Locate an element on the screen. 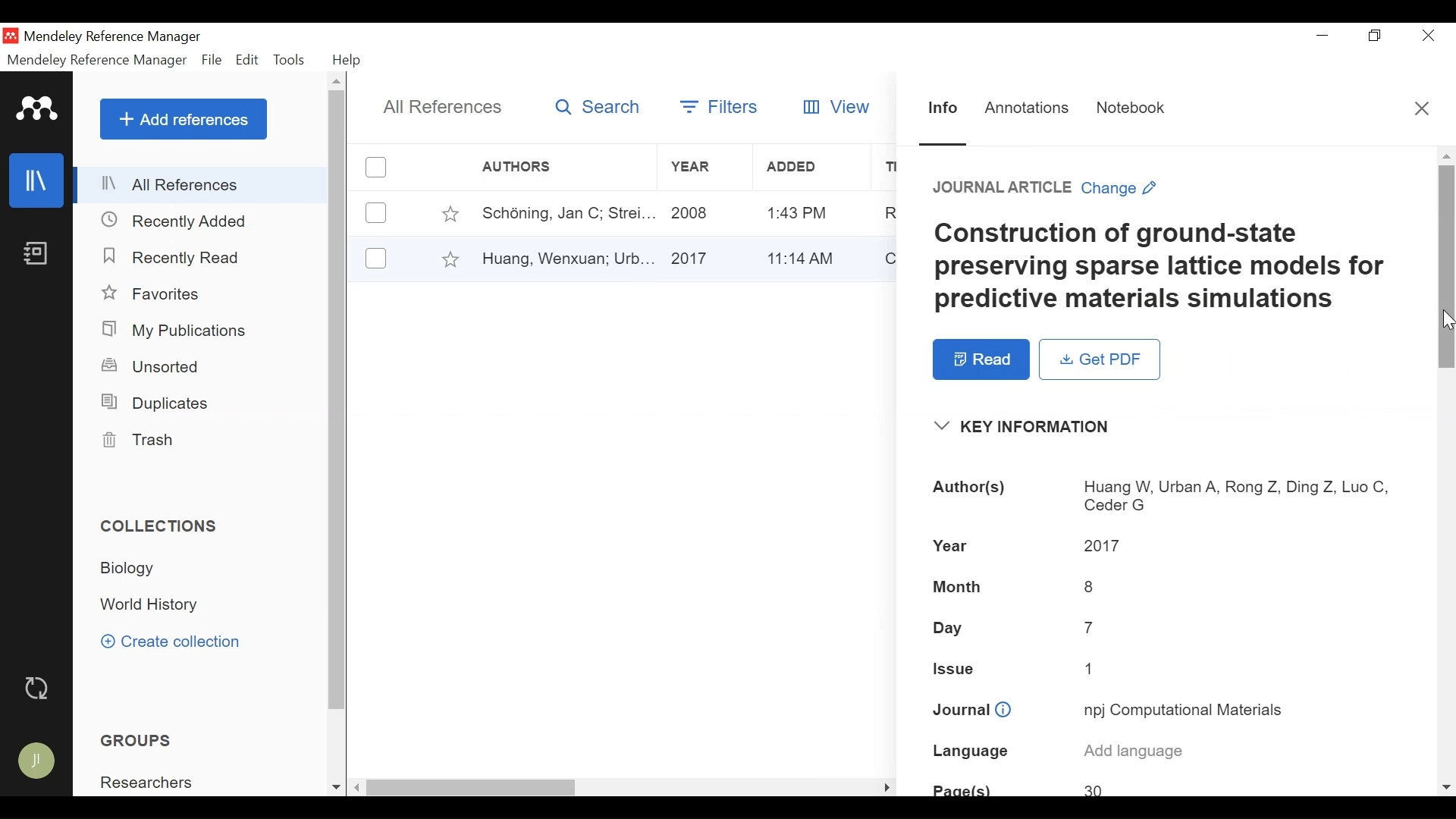 The width and height of the screenshot is (1456, 819). Title is located at coordinates (1175, 268).